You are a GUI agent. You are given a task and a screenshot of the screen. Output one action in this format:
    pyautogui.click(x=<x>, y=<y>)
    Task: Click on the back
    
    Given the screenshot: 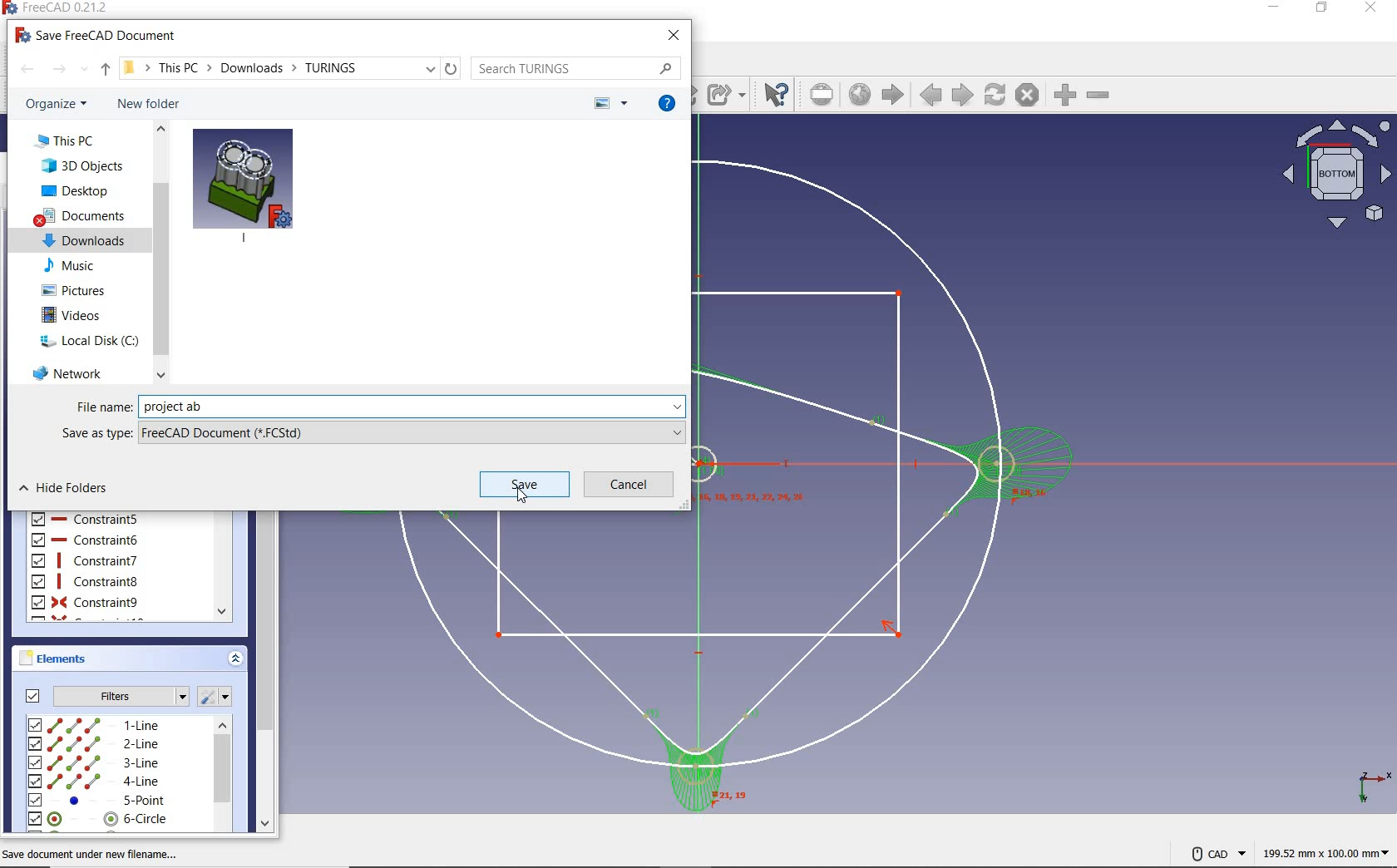 What is the action you would take?
    pyautogui.click(x=27, y=69)
    